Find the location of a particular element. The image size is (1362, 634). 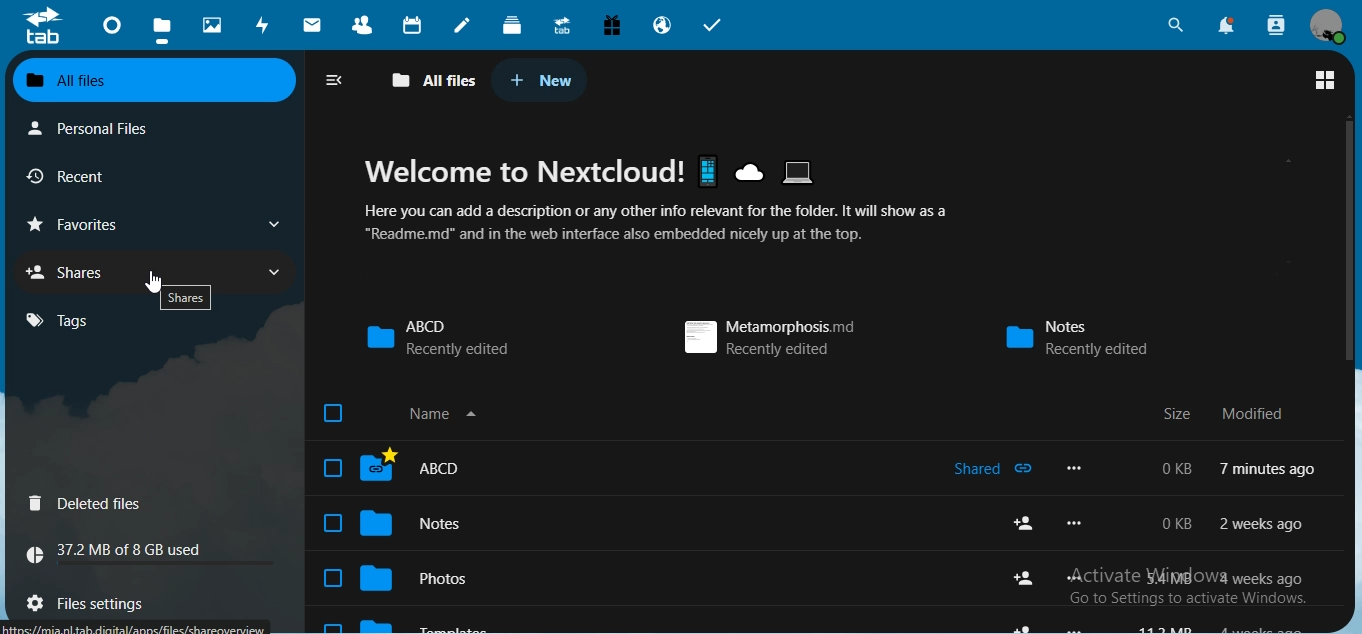

more options is located at coordinates (1077, 523).